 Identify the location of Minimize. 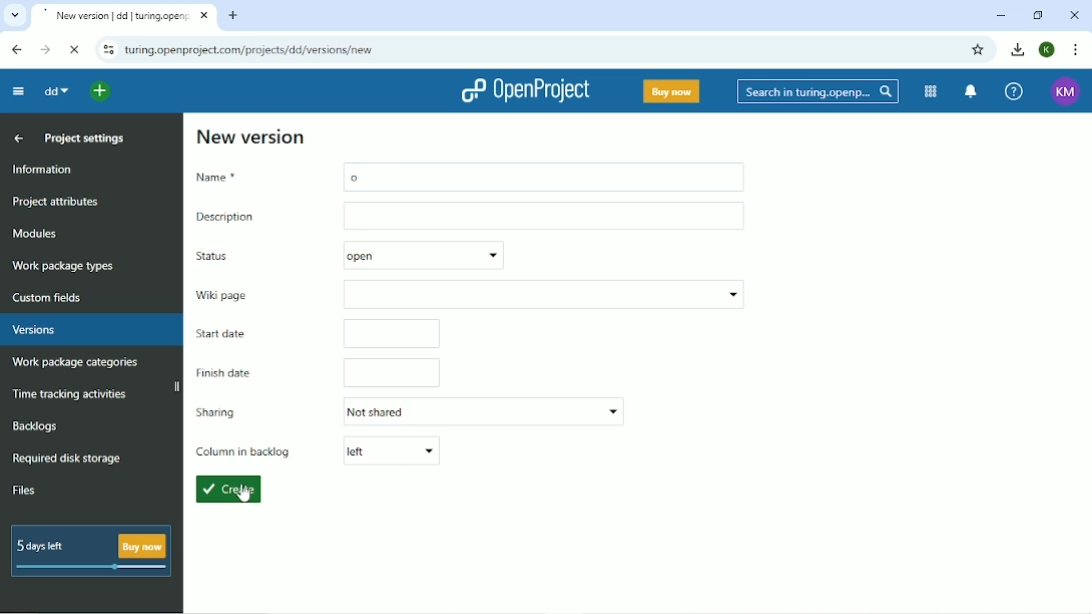
(1001, 16).